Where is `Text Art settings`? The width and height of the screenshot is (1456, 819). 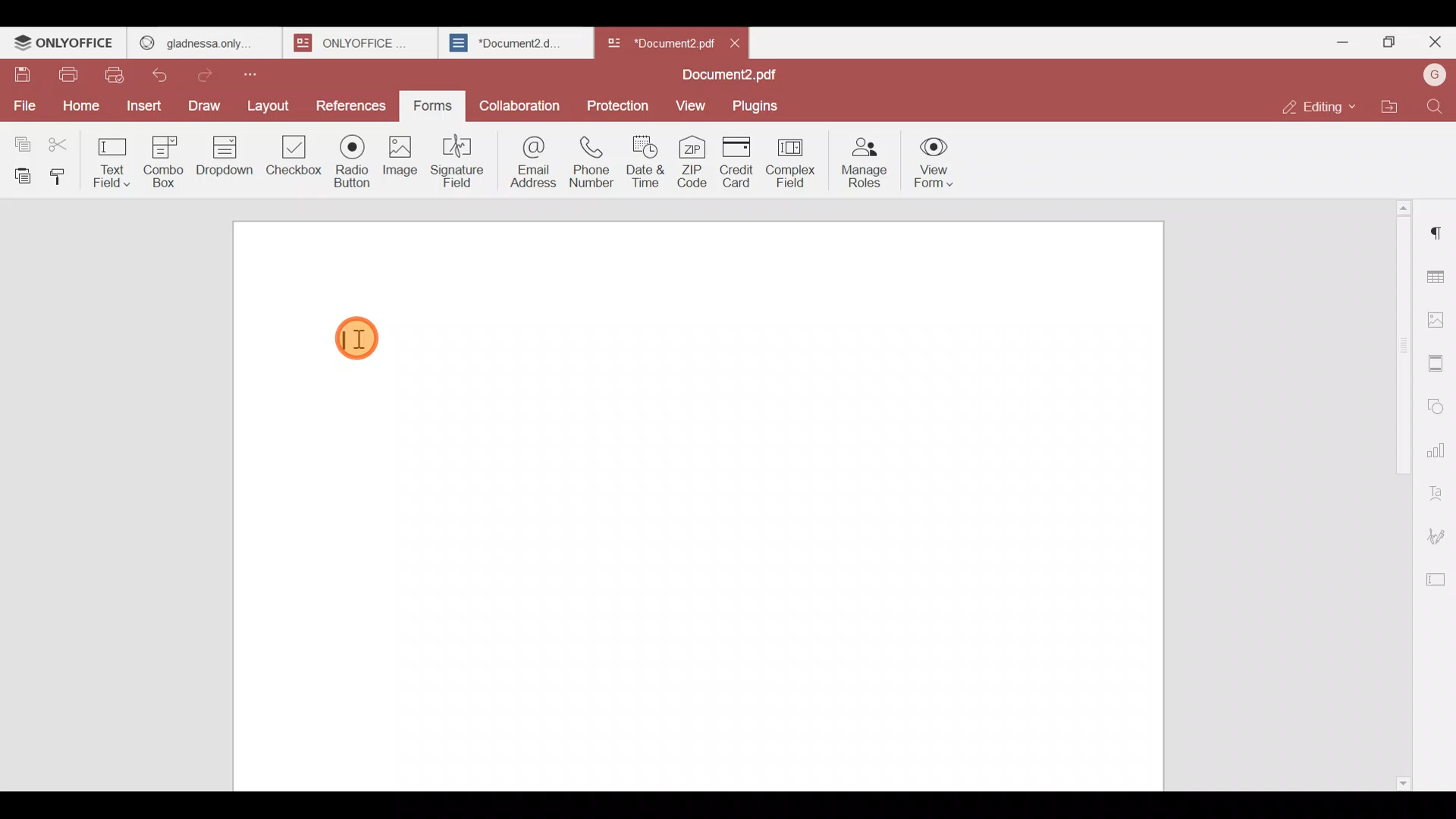 Text Art settings is located at coordinates (1439, 491).